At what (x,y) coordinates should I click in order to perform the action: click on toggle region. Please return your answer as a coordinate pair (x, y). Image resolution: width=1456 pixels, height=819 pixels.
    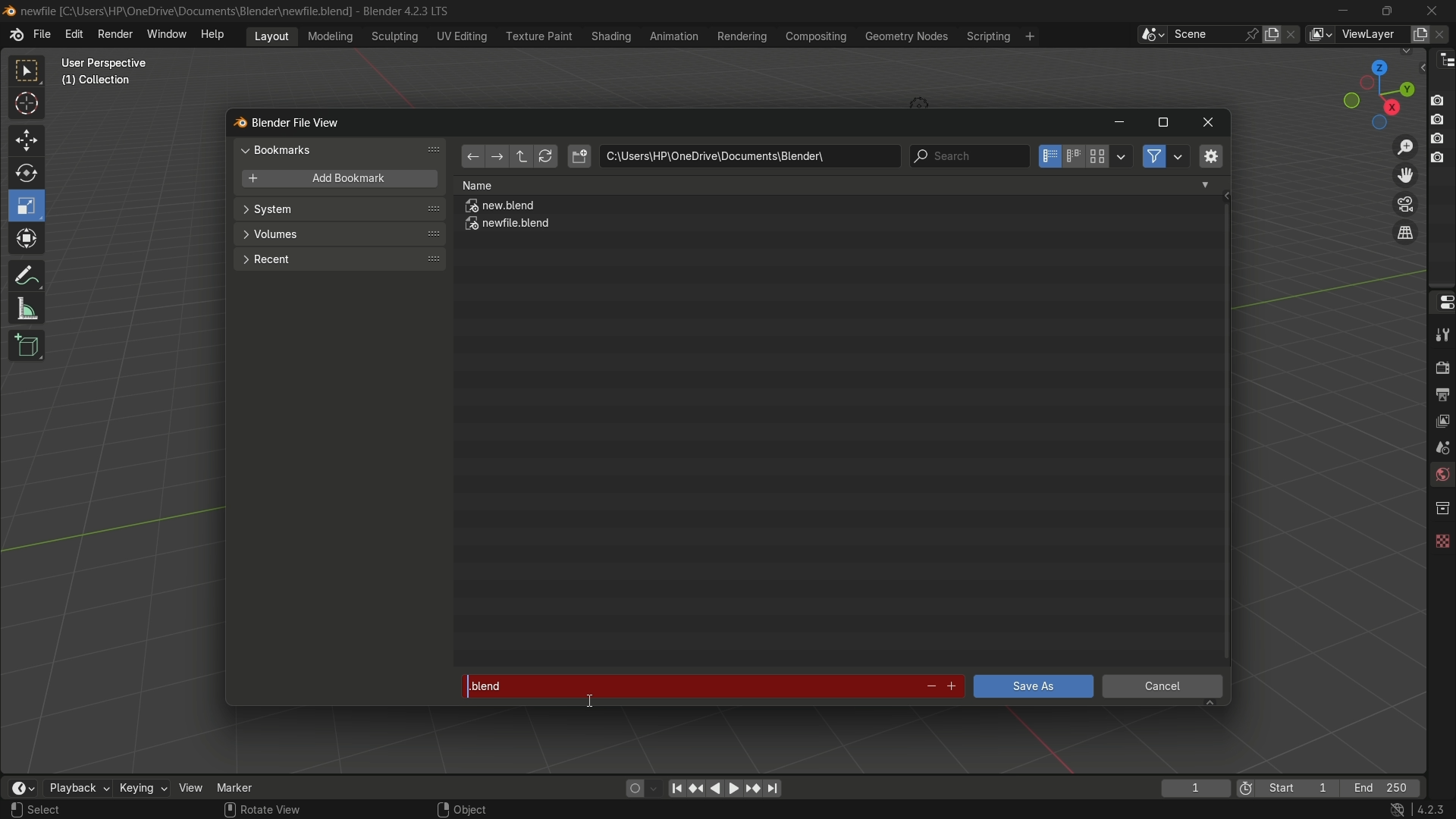
    Looking at the image, I should click on (1210, 155).